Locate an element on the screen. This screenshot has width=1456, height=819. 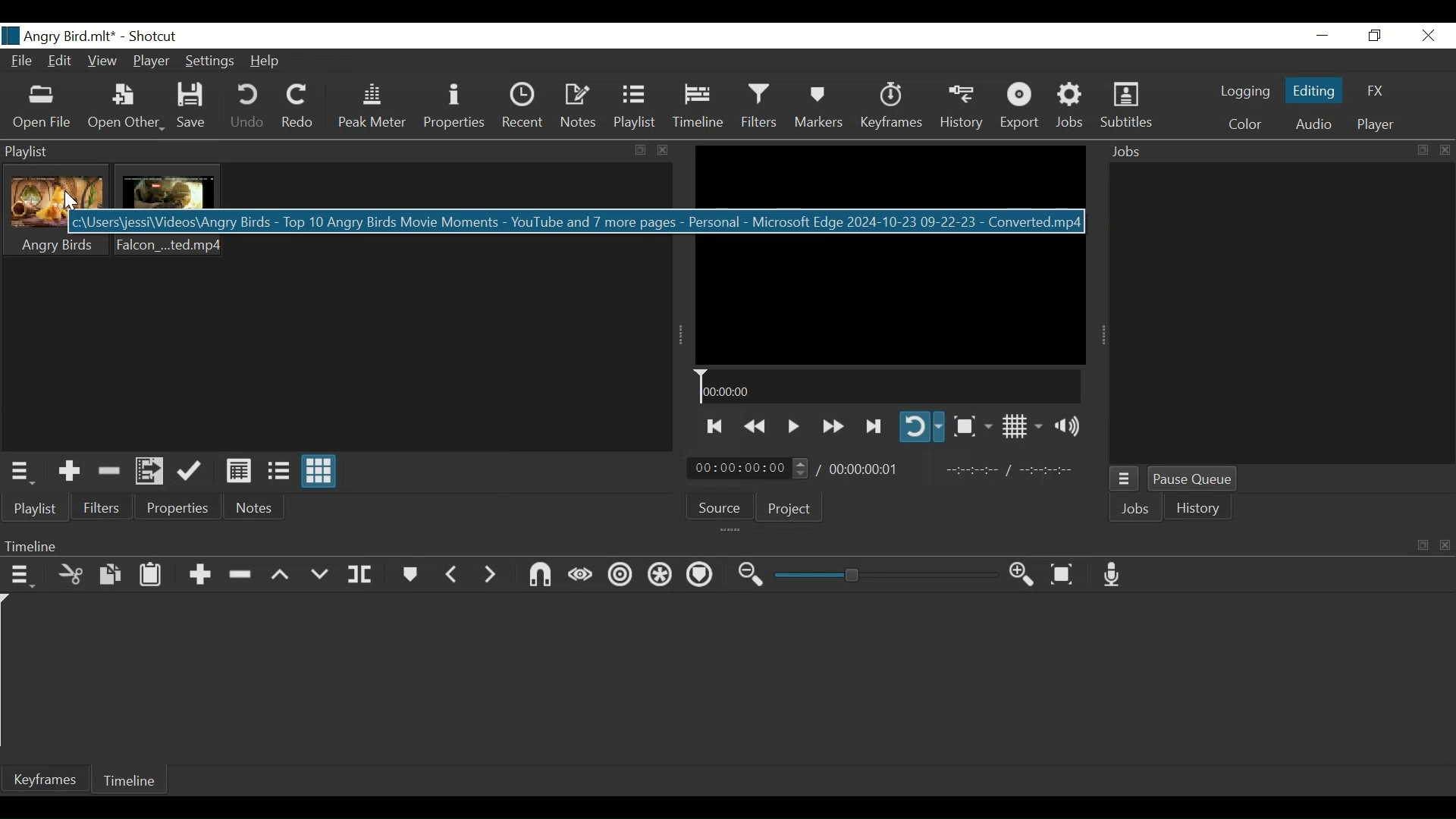
Toggle Zoom is located at coordinates (972, 426).